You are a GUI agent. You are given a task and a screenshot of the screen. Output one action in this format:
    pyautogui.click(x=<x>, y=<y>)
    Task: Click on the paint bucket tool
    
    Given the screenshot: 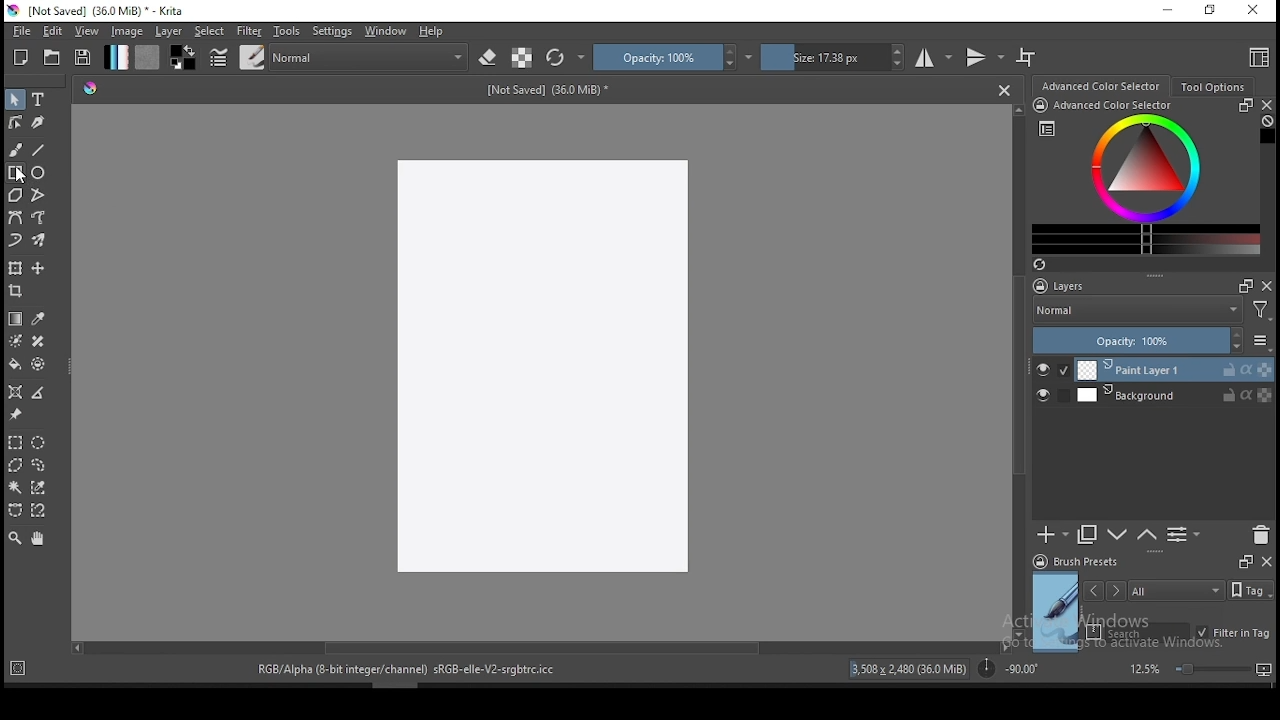 What is the action you would take?
    pyautogui.click(x=15, y=364)
    